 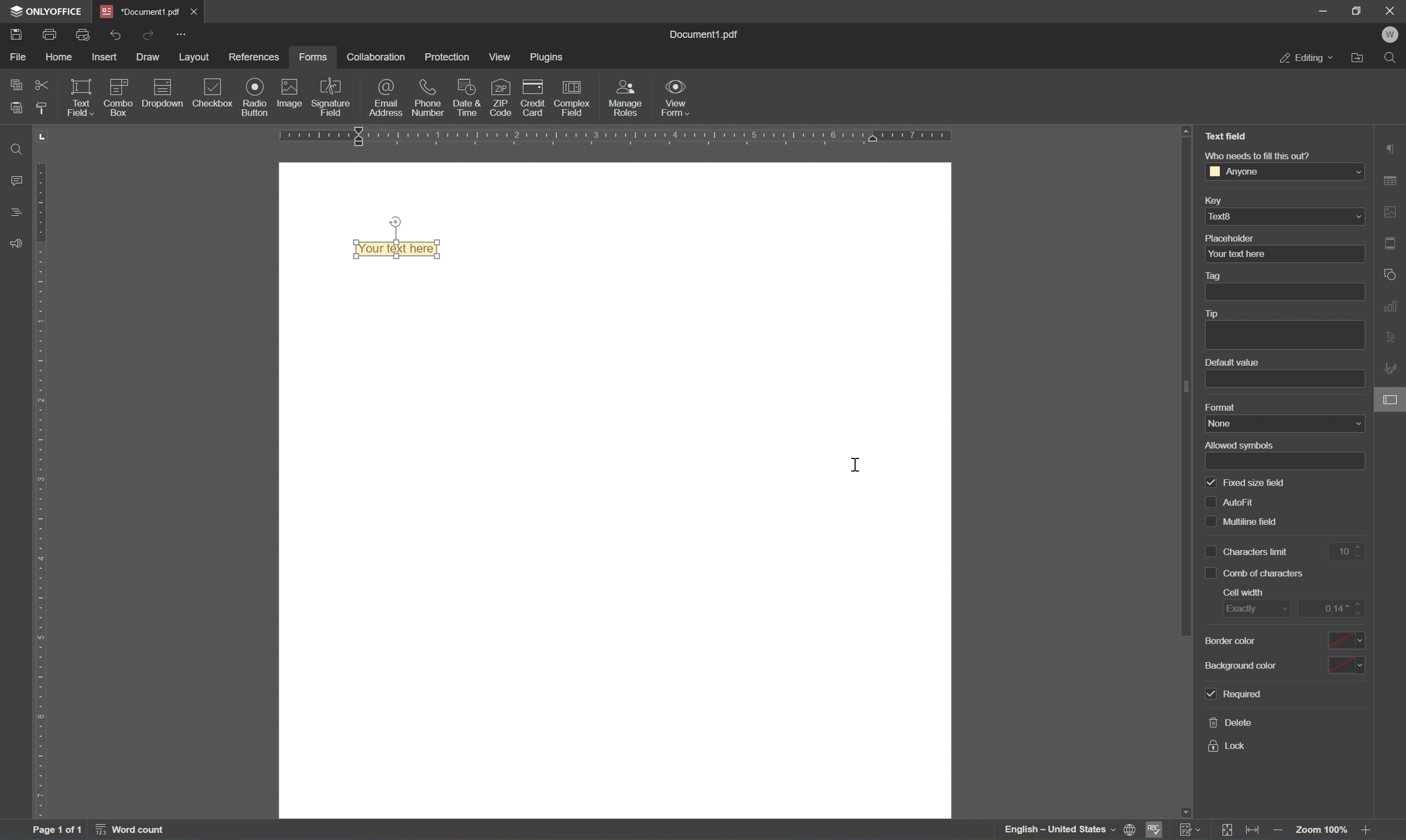 I want to click on icon, so click(x=162, y=85).